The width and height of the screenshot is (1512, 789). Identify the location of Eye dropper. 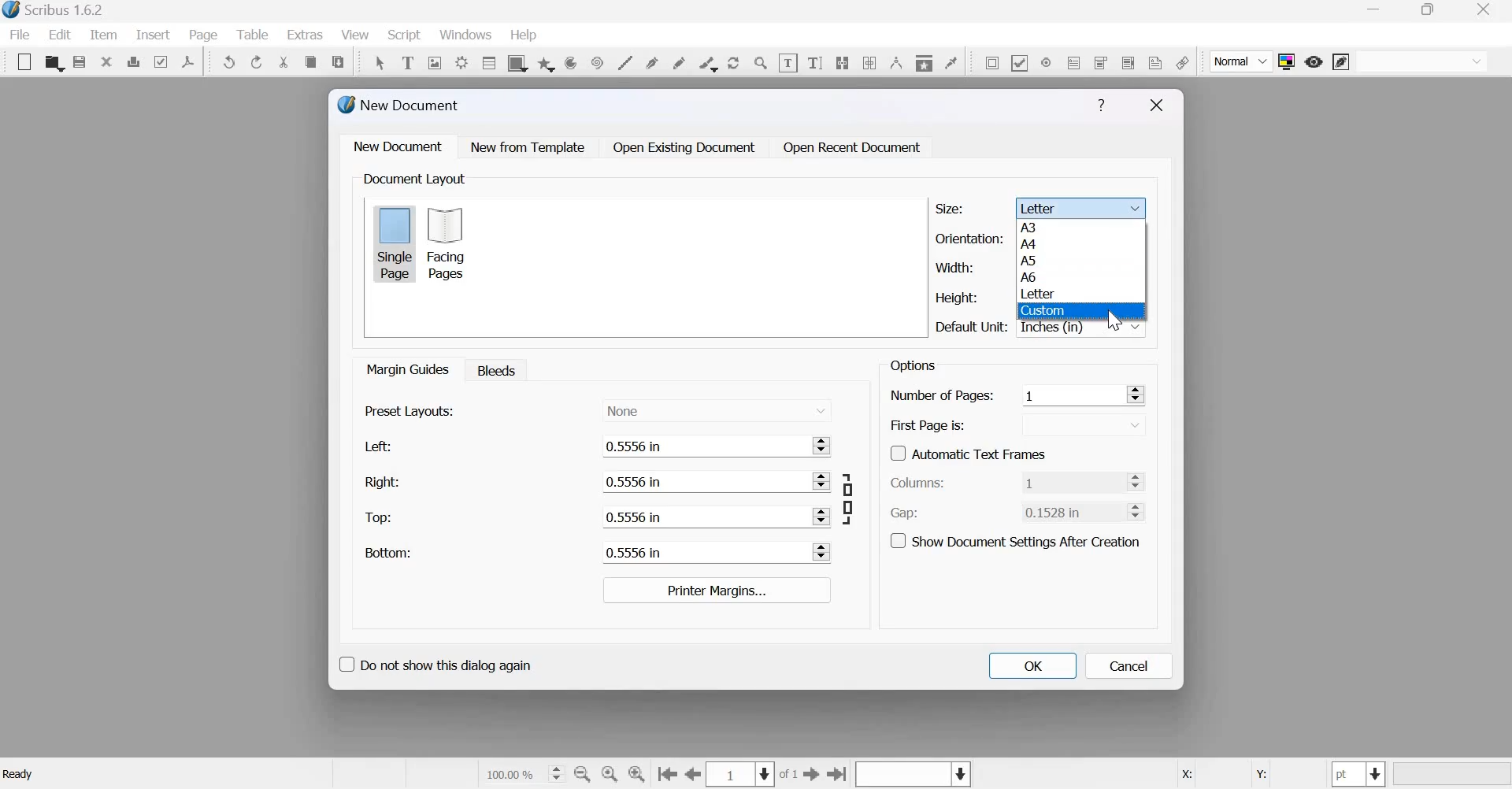
(951, 61).